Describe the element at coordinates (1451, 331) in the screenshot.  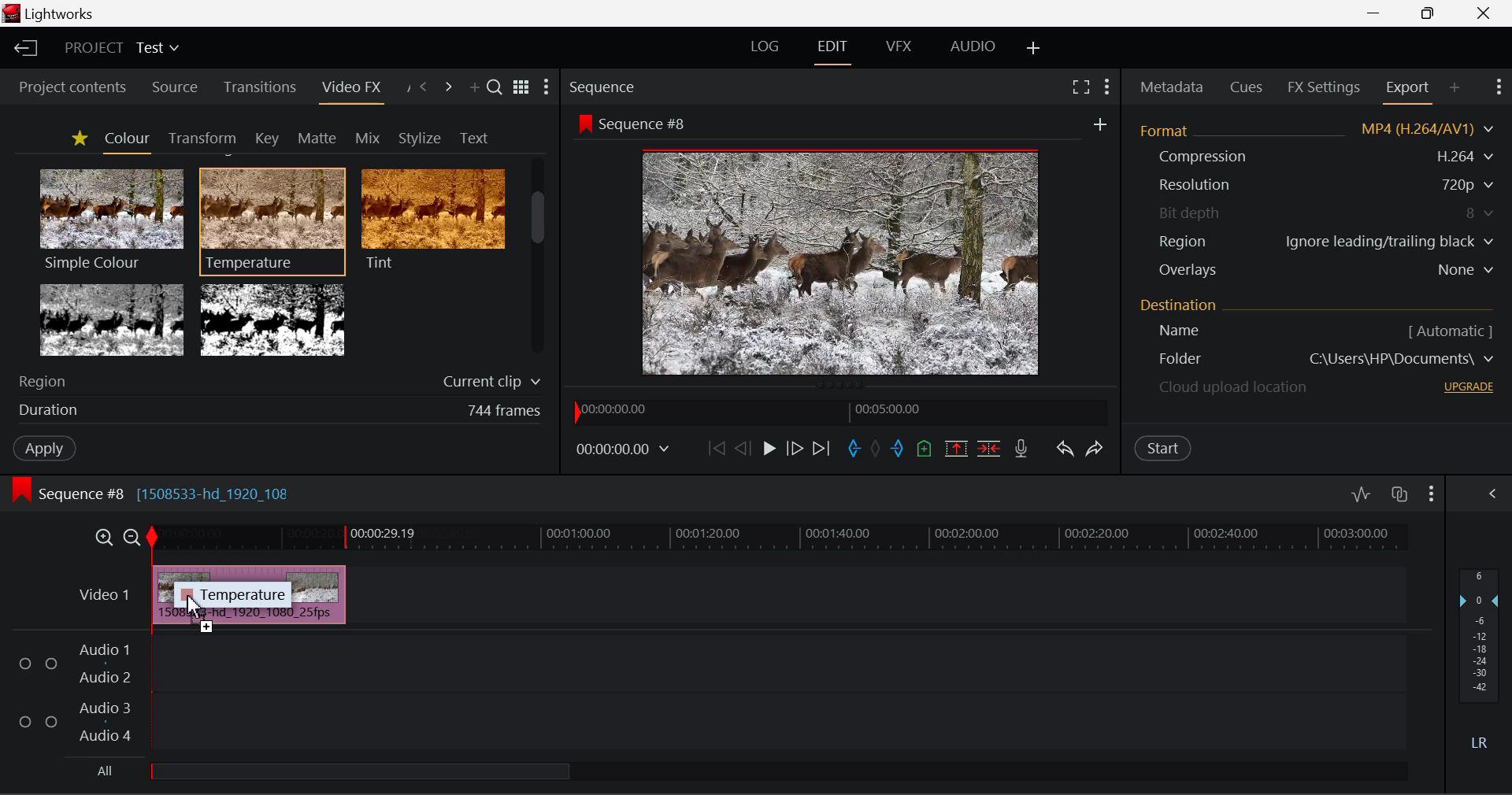
I see `[ Automatic ]` at that location.